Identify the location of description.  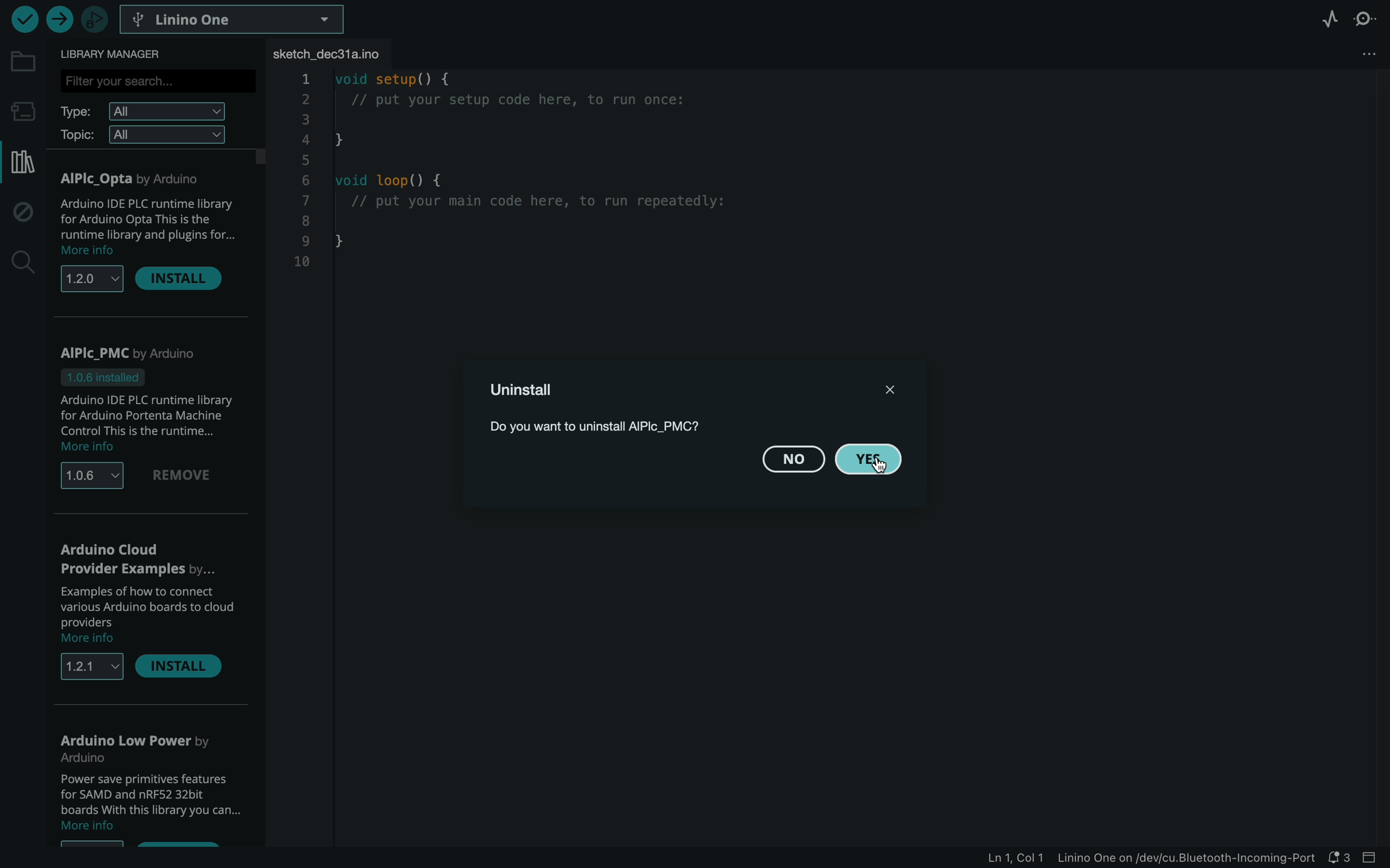
(149, 613).